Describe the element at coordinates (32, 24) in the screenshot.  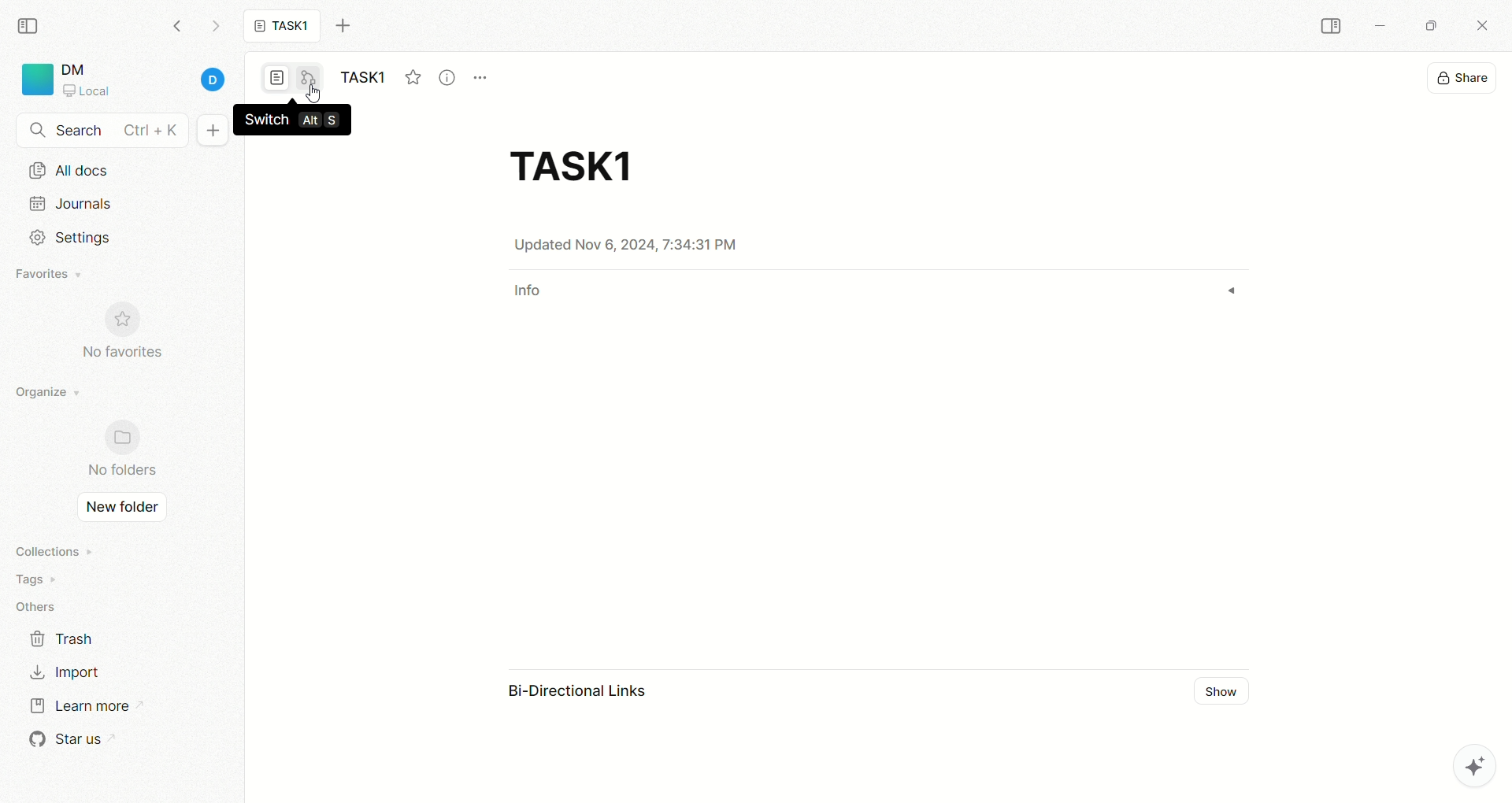
I see `collapse sidebar` at that location.